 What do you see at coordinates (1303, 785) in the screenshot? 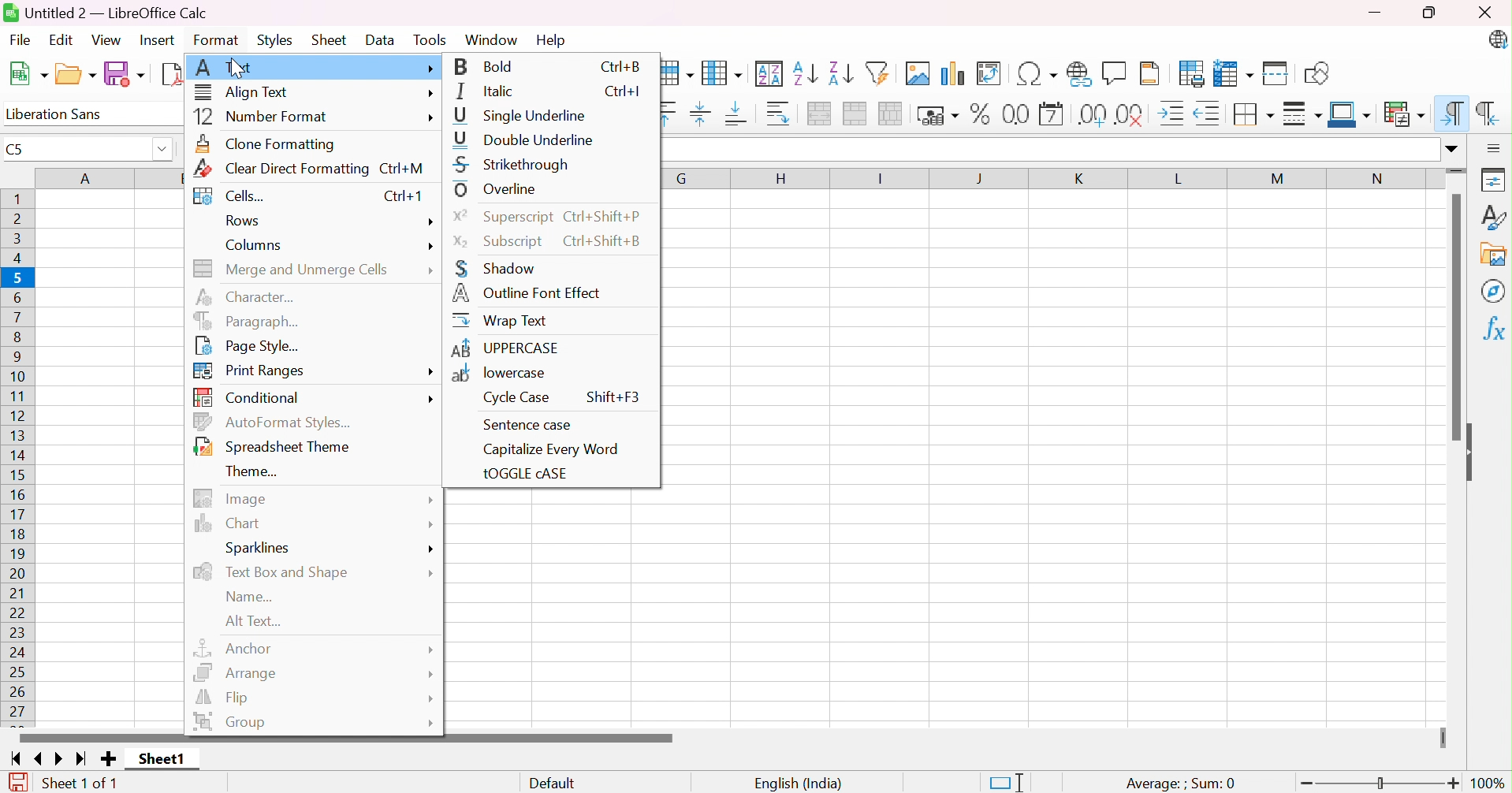
I see `Zoom Out` at bounding box center [1303, 785].